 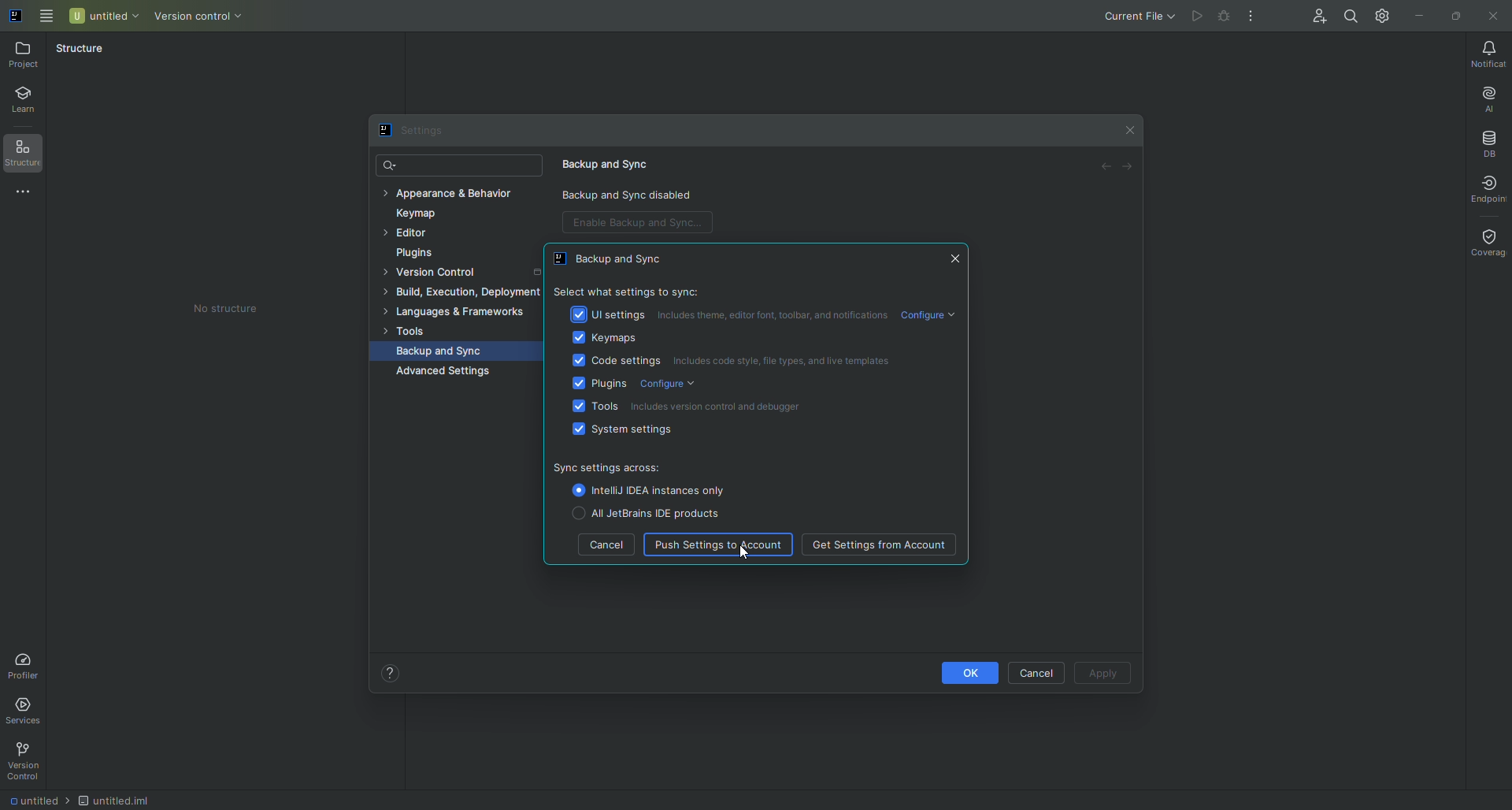 What do you see at coordinates (239, 309) in the screenshot?
I see `No structure` at bounding box center [239, 309].